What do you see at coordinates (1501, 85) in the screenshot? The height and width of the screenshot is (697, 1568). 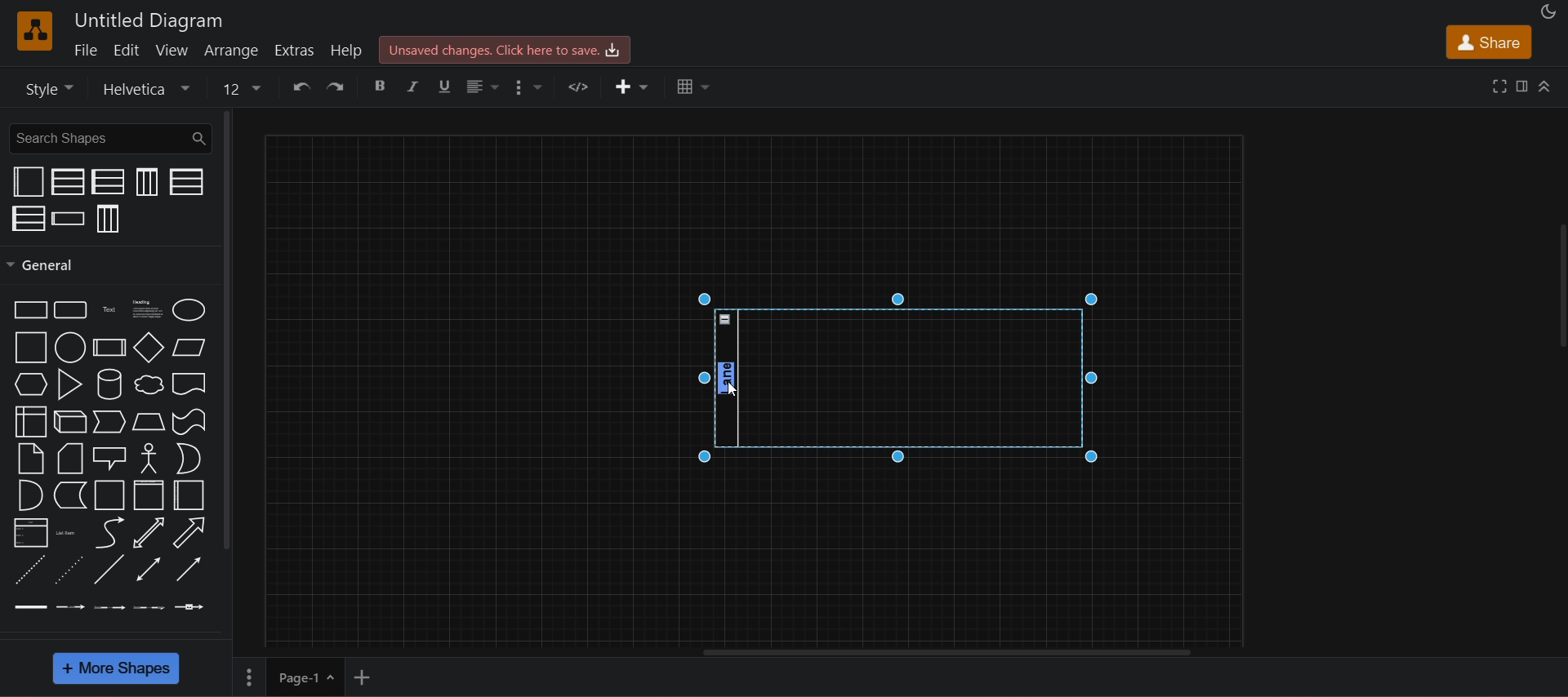 I see `fullscreen` at bounding box center [1501, 85].